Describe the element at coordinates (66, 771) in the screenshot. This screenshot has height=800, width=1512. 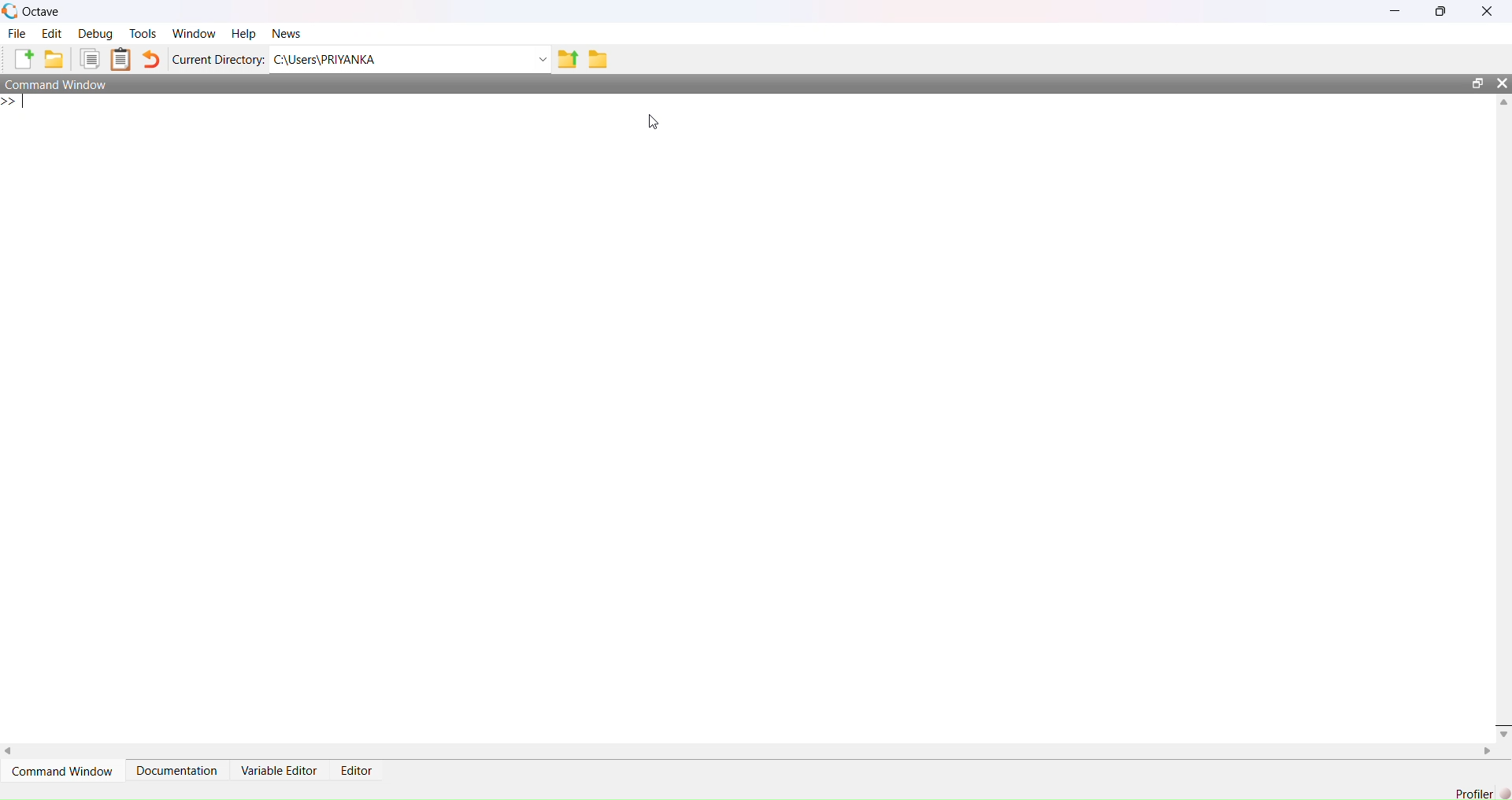
I see `Command Window` at that location.